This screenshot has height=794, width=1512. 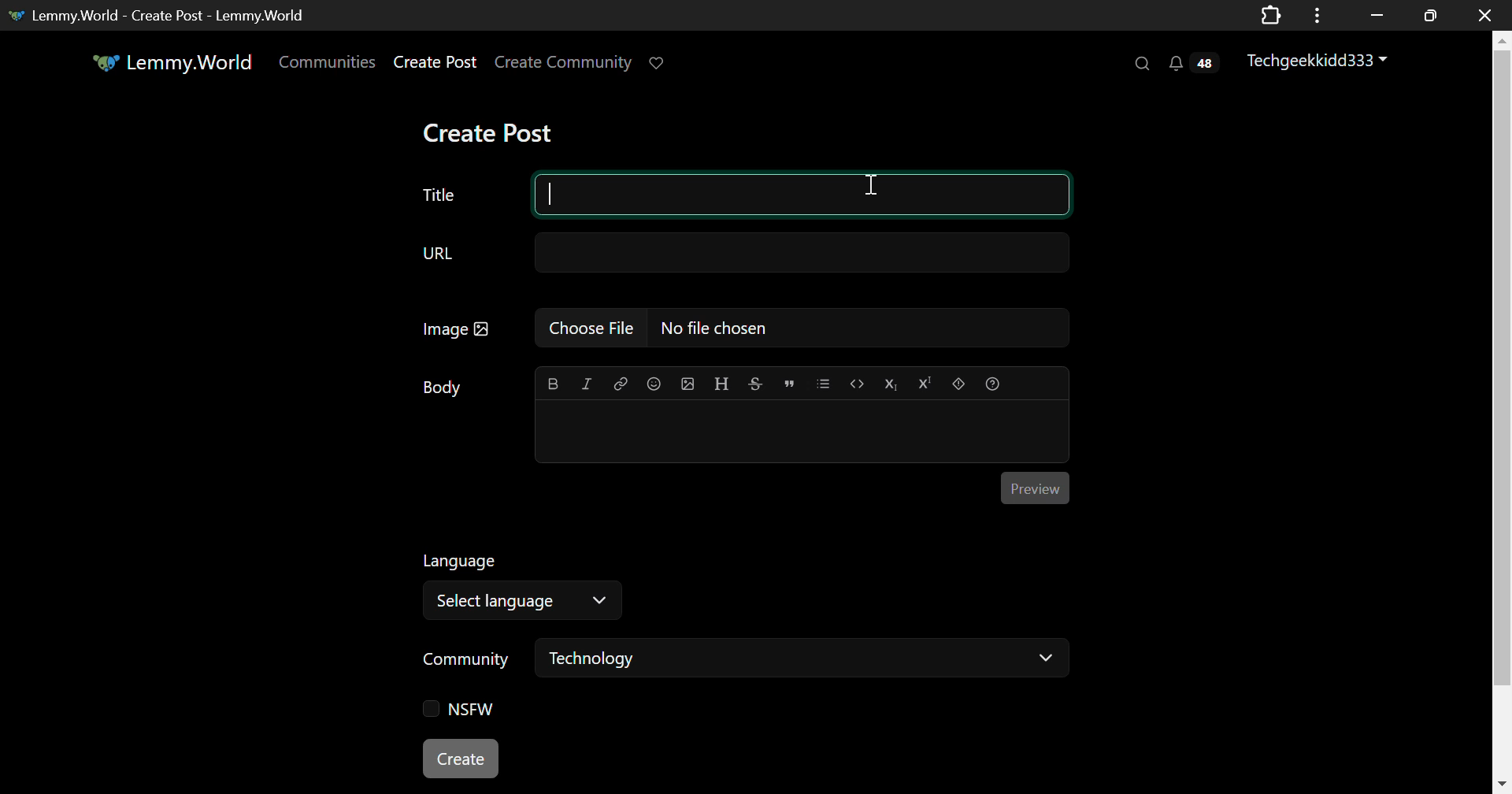 I want to click on superscript, so click(x=925, y=384).